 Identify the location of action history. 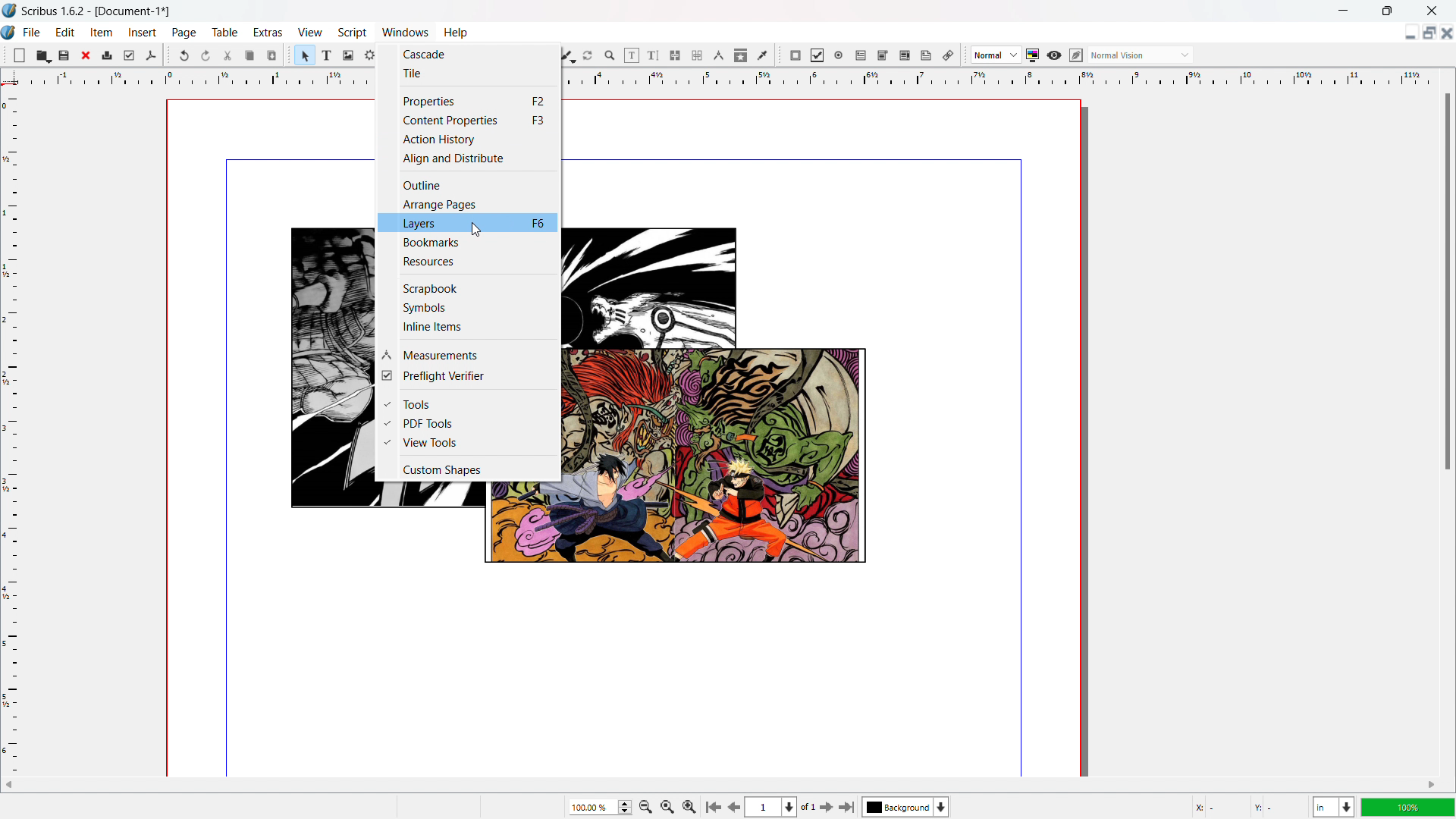
(469, 139).